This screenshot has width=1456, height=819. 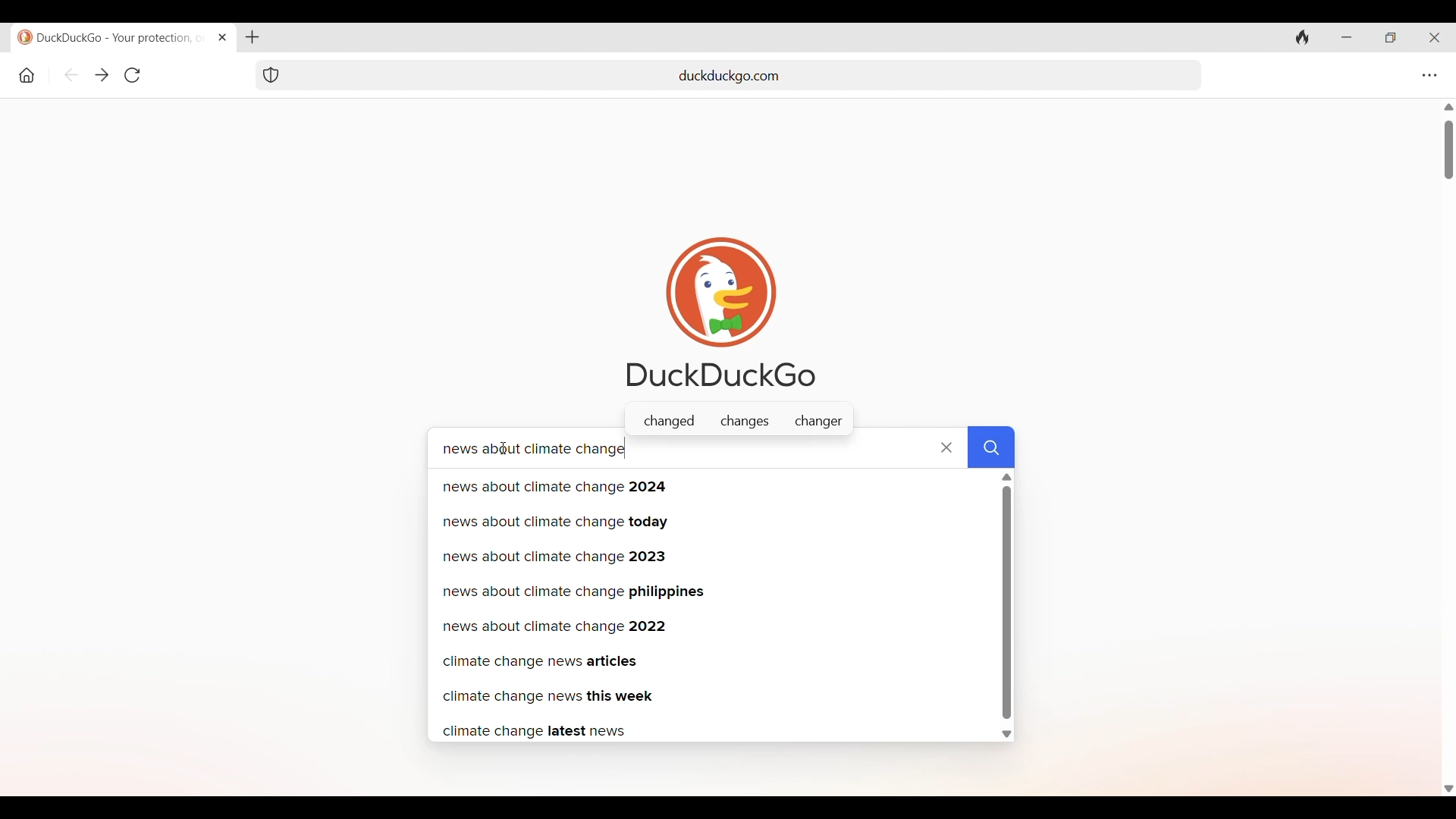 I want to click on Add new tab, so click(x=253, y=37).